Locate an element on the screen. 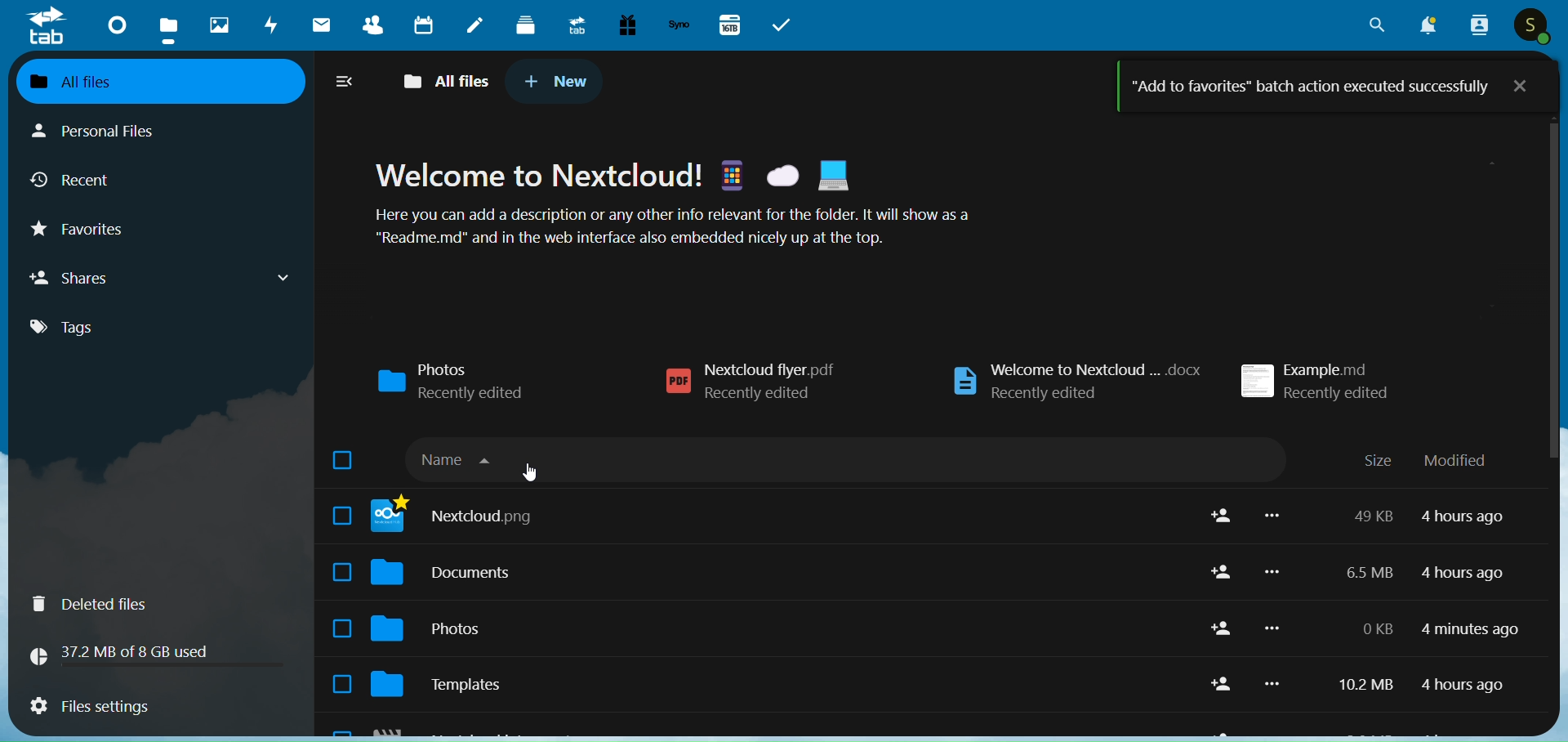 This screenshot has height=742, width=1568. favorites is located at coordinates (83, 230).